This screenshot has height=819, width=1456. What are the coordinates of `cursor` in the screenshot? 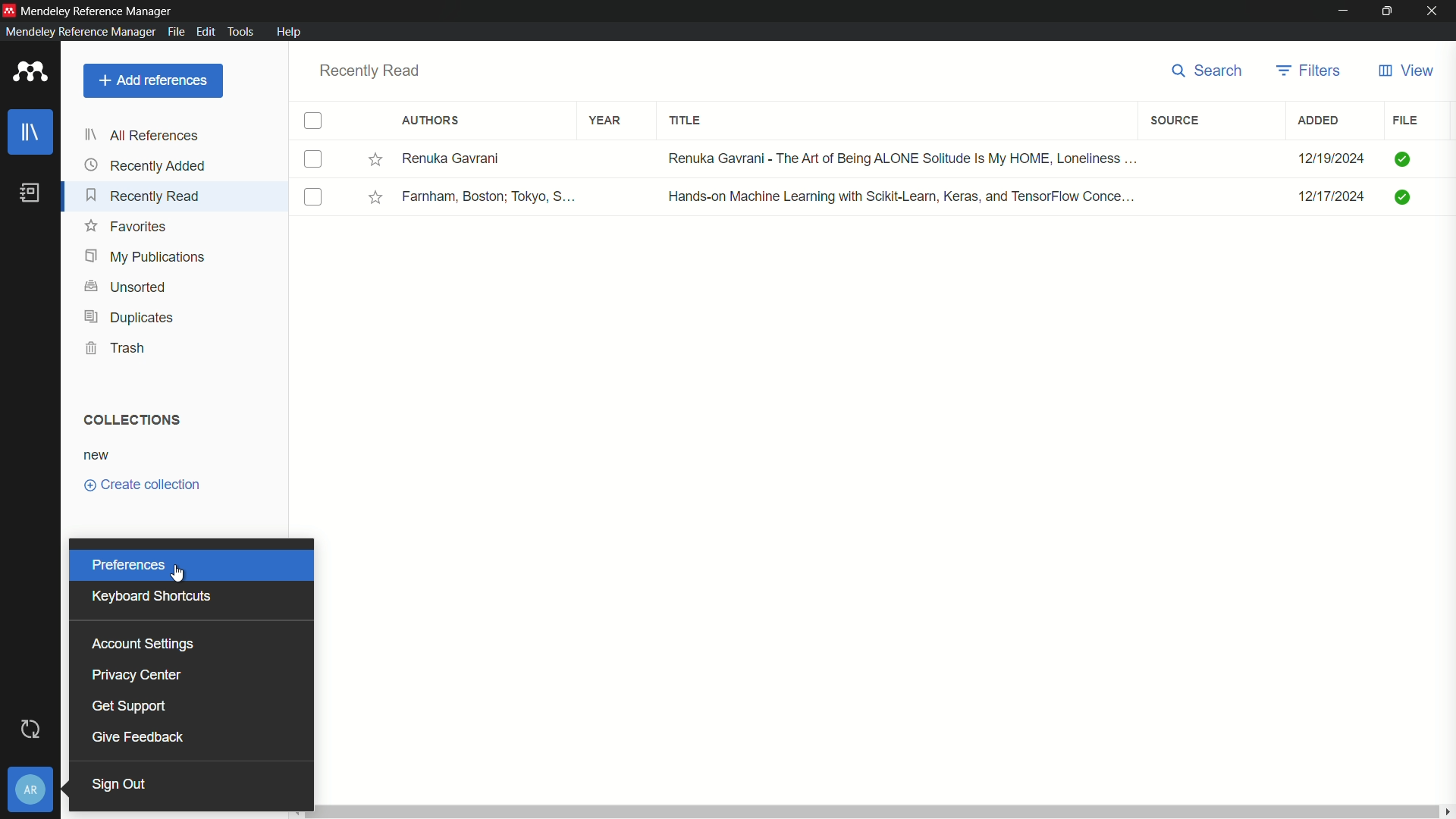 It's located at (181, 572).